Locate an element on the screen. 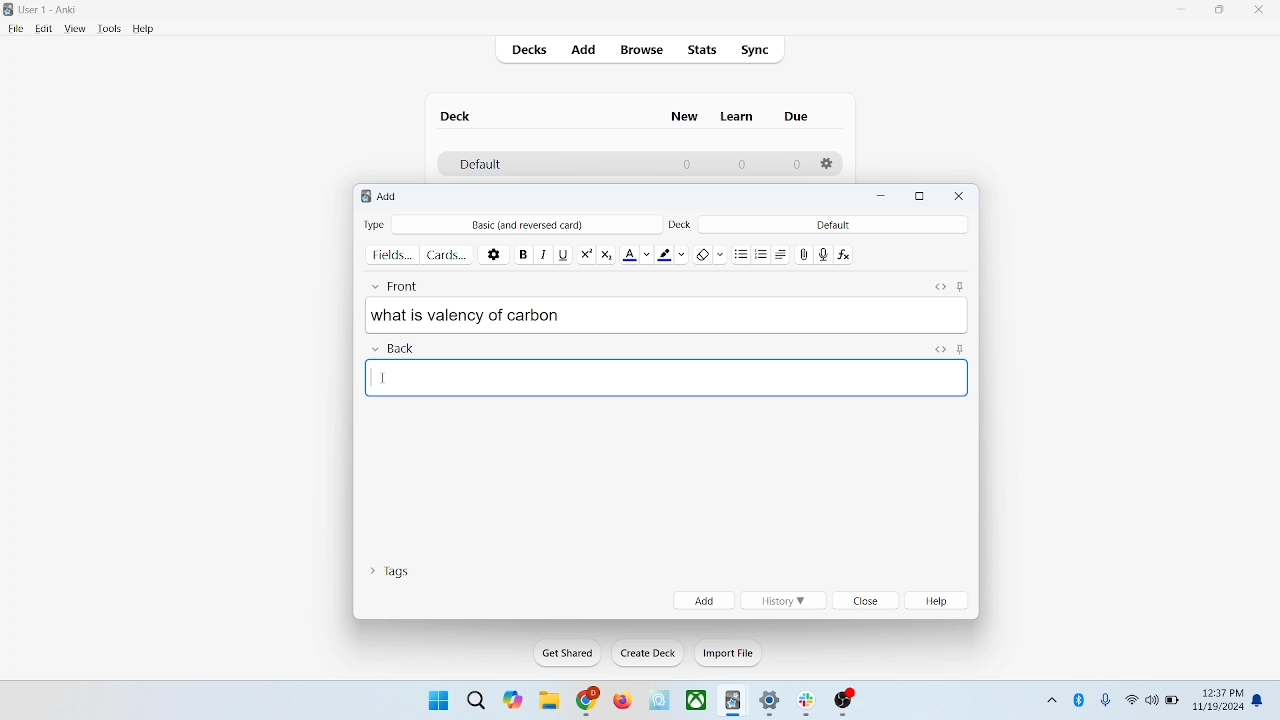 This screenshot has height=720, width=1280. decks is located at coordinates (532, 52).